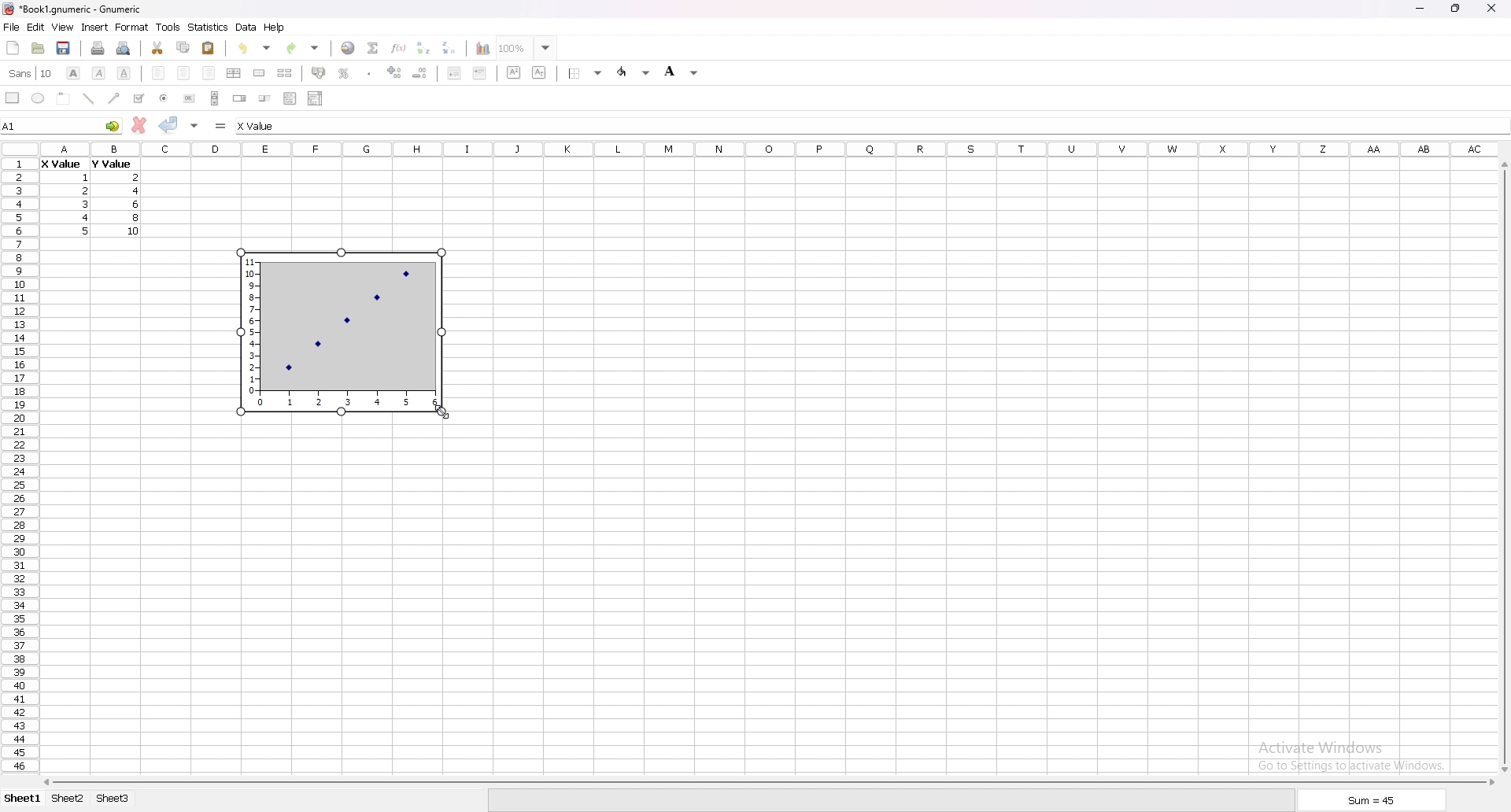 This screenshot has height=812, width=1511. I want to click on help, so click(275, 27).